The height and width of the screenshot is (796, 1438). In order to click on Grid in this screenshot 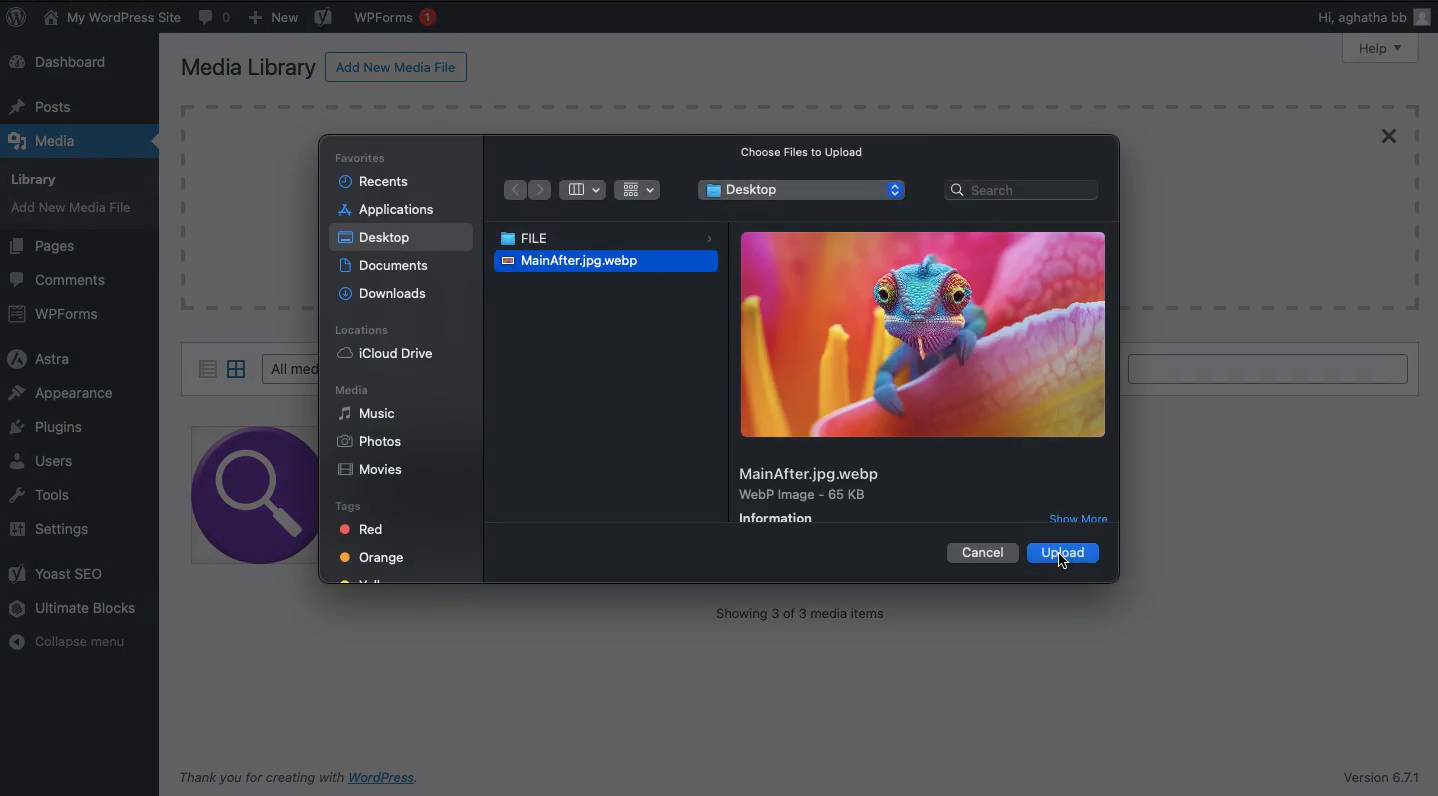, I will do `click(636, 192)`.